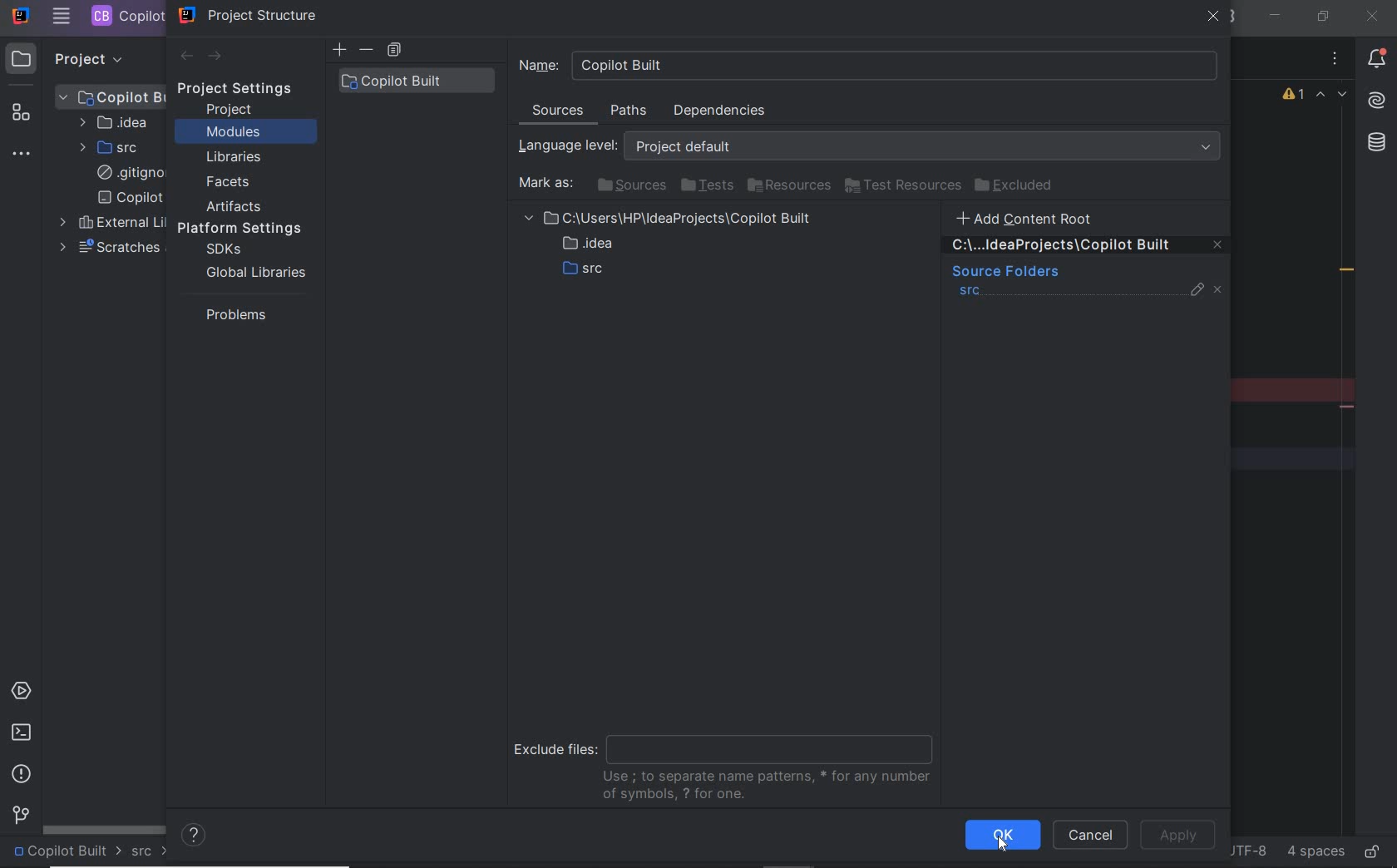  Describe the element at coordinates (130, 198) in the screenshot. I see `copilot built.iml` at that location.